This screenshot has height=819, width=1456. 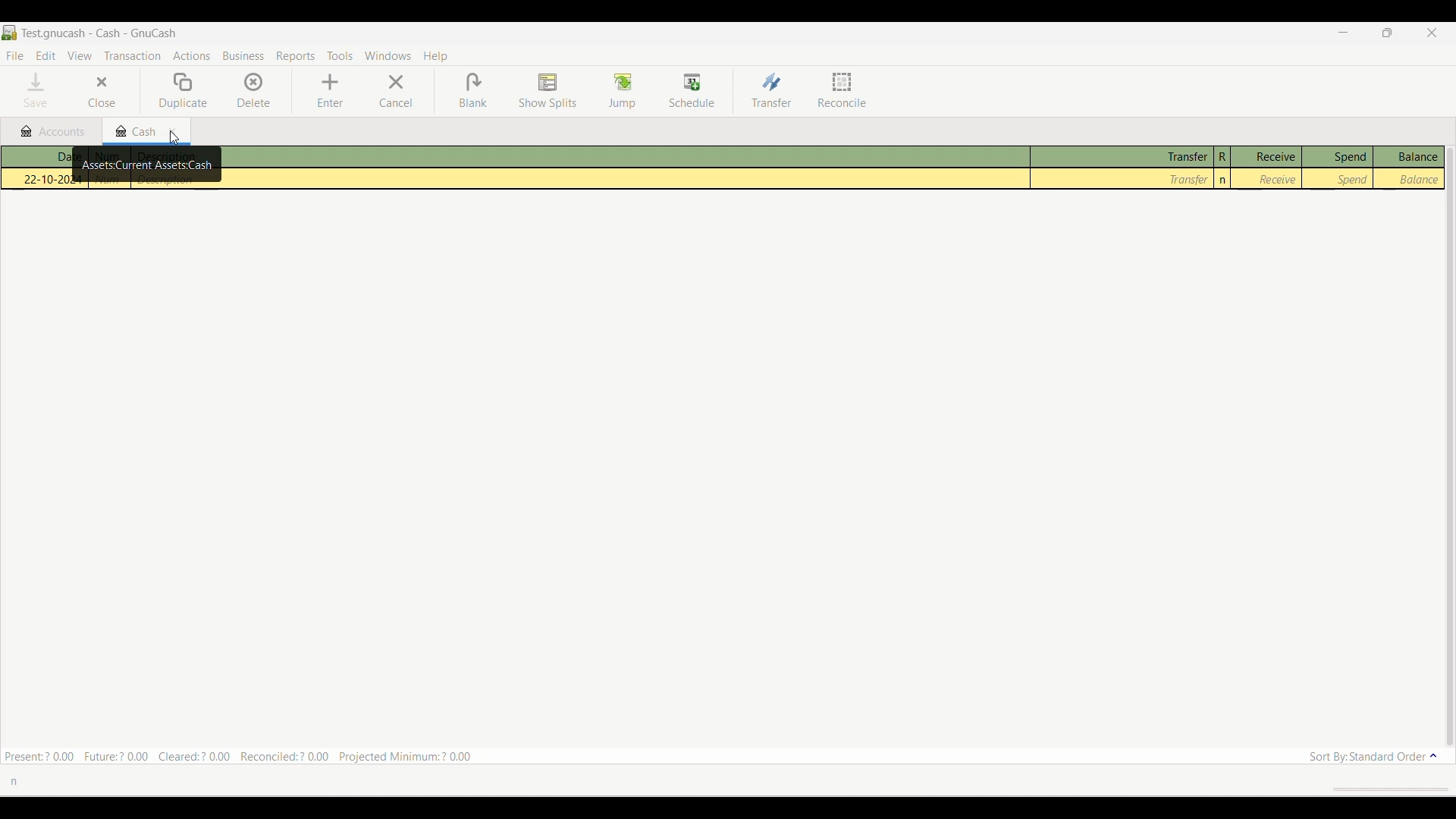 What do you see at coordinates (1122, 179) in the screenshot?
I see `transfer` at bounding box center [1122, 179].